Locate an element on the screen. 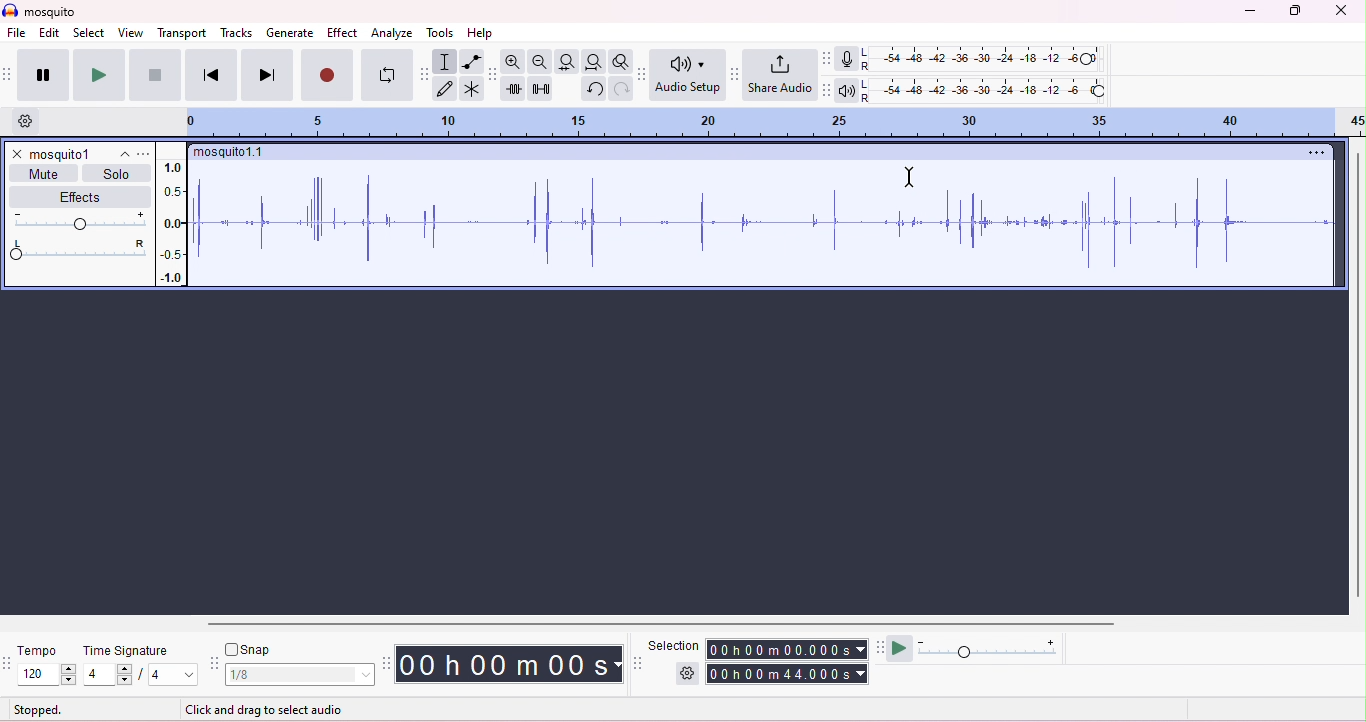 Image resolution: width=1366 pixels, height=722 pixels. close is located at coordinates (1340, 11).